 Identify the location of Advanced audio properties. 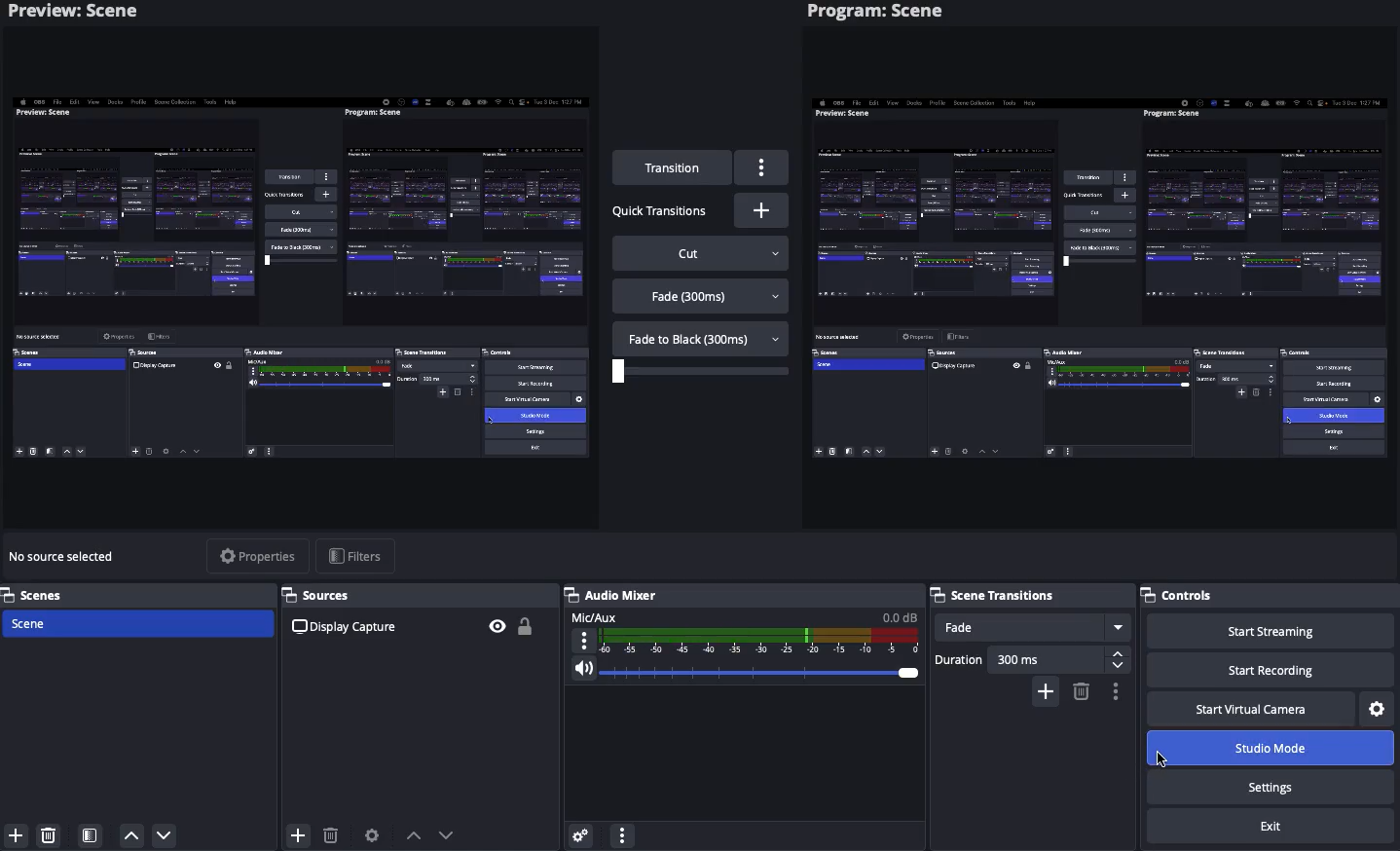
(582, 832).